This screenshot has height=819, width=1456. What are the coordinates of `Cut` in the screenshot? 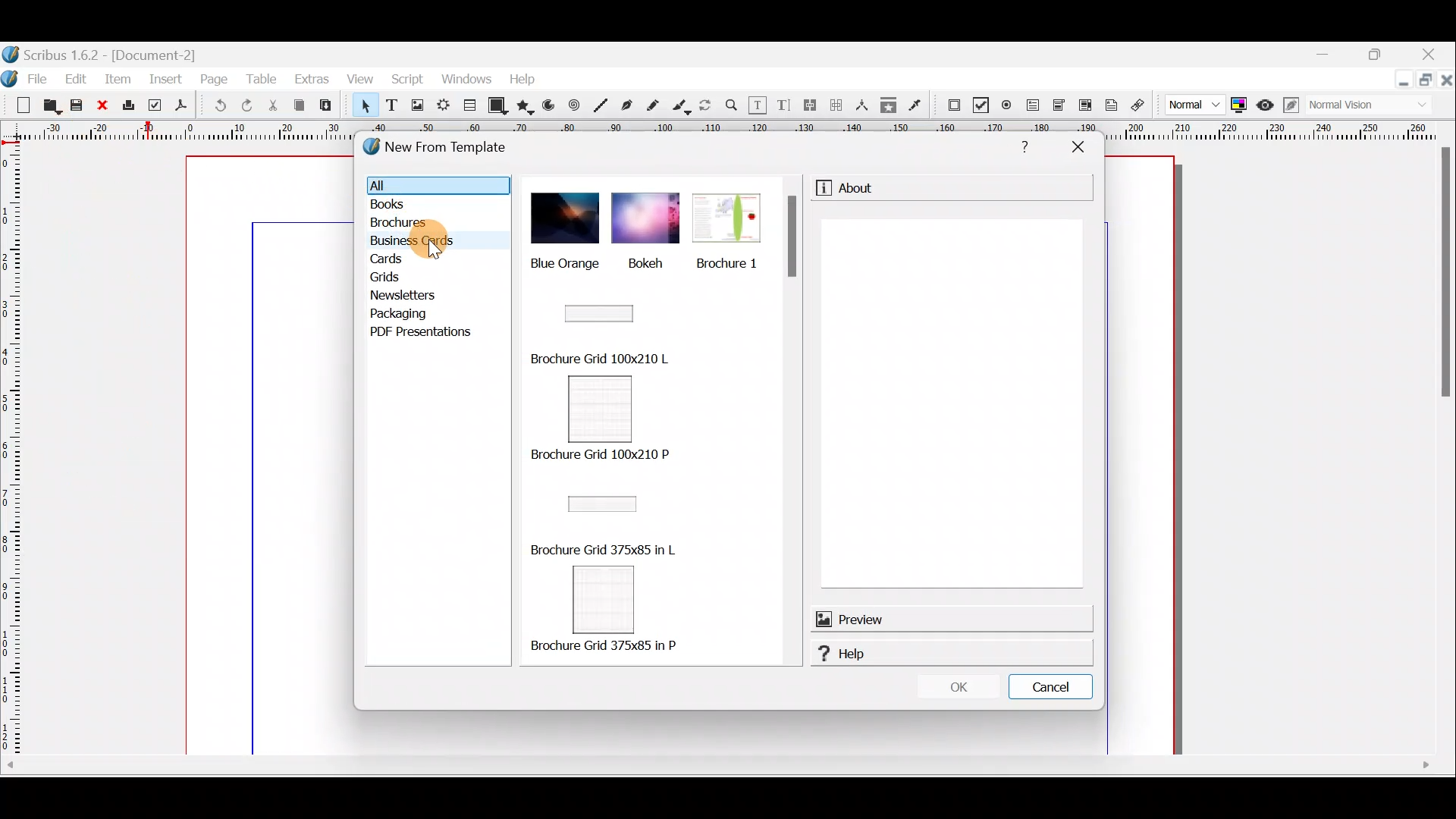 It's located at (274, 106).